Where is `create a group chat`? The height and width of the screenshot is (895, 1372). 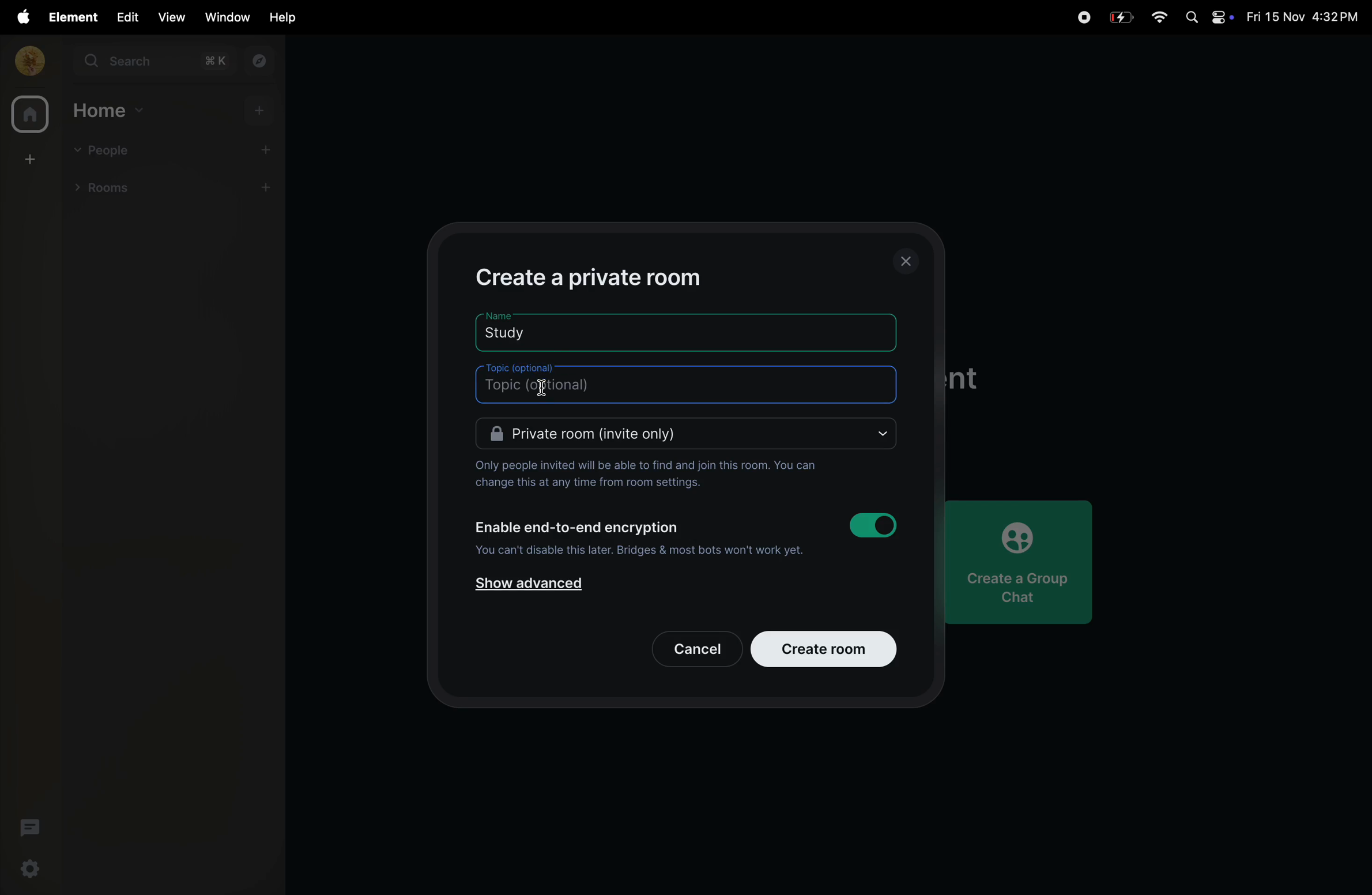 create a group chat is located at coordinates (1027, 558).